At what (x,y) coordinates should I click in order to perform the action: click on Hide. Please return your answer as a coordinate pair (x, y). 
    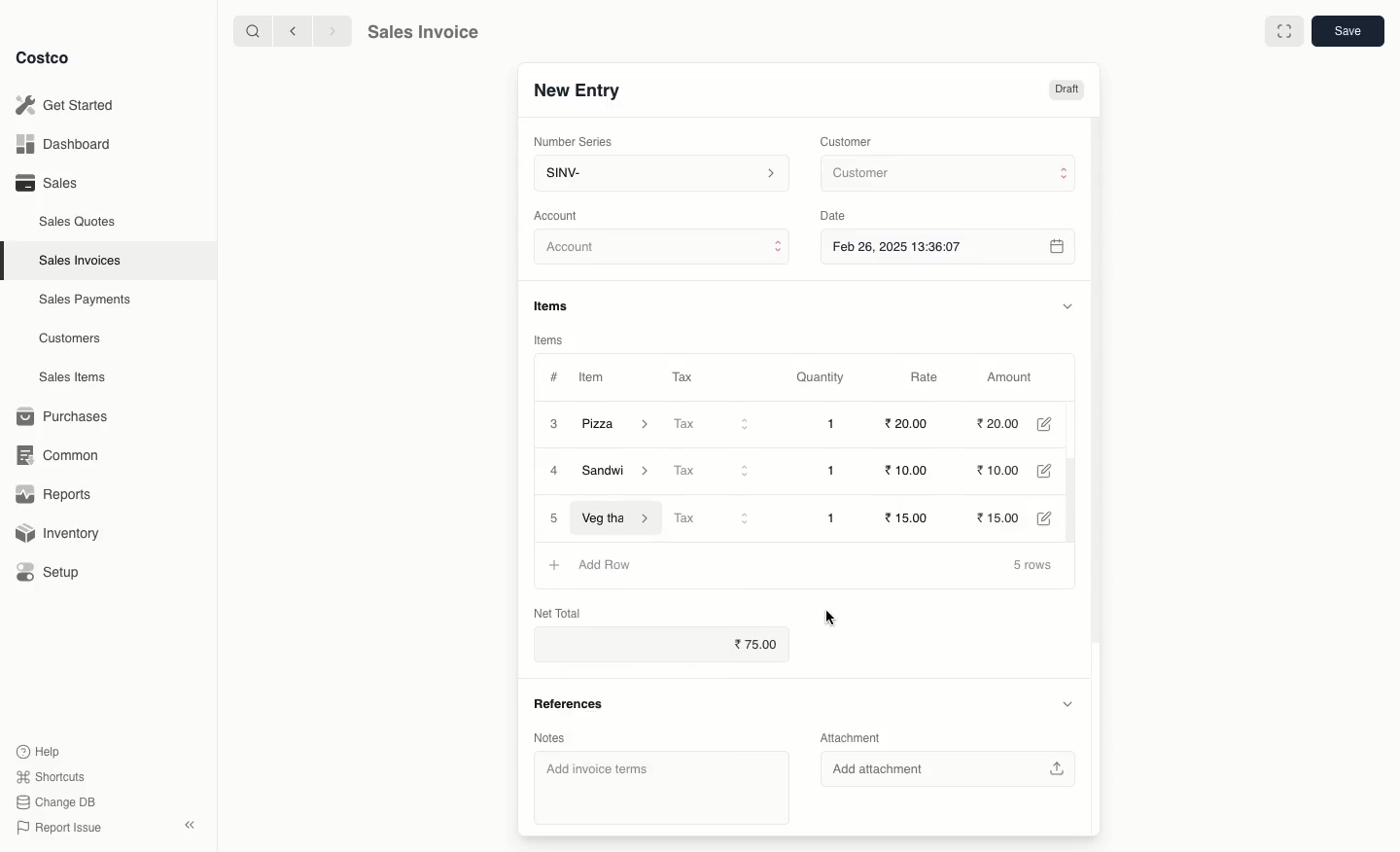
    Looking at the image, I should click on (1067, 704).